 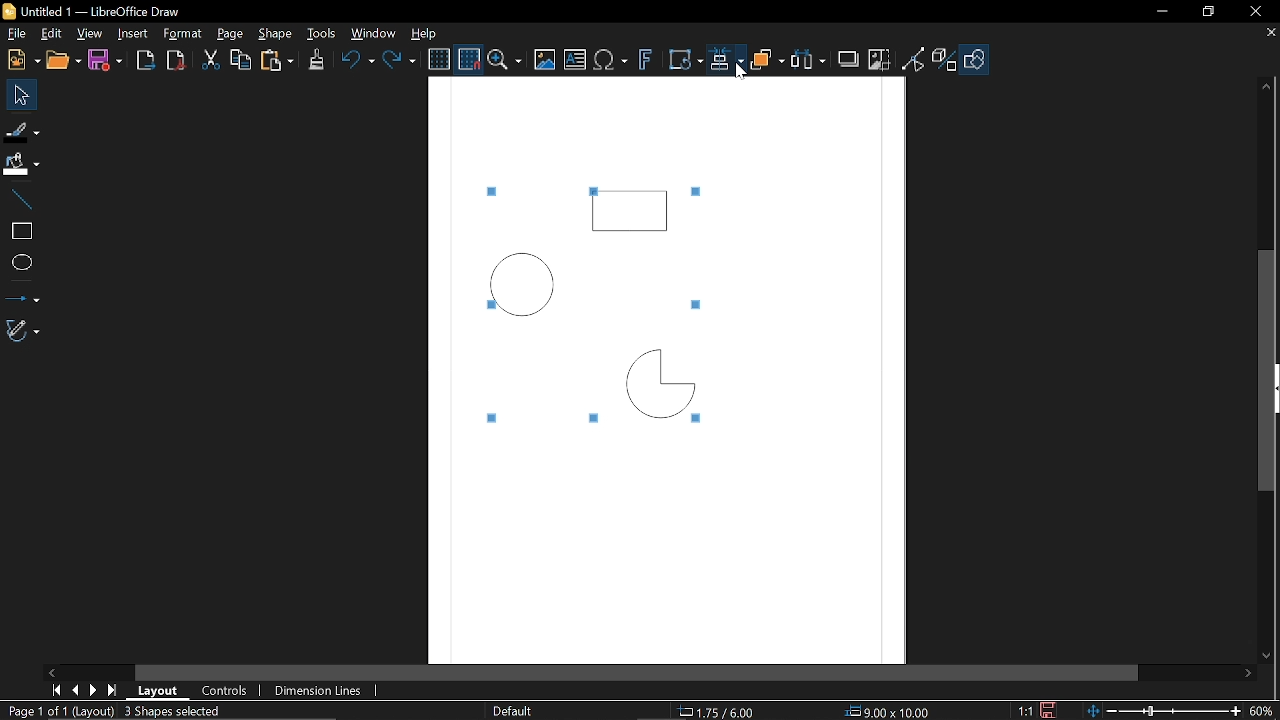 What do you see at coordinates (131, 35) in the screenshot?
I see `Insert` at bounding box center [131, 35].